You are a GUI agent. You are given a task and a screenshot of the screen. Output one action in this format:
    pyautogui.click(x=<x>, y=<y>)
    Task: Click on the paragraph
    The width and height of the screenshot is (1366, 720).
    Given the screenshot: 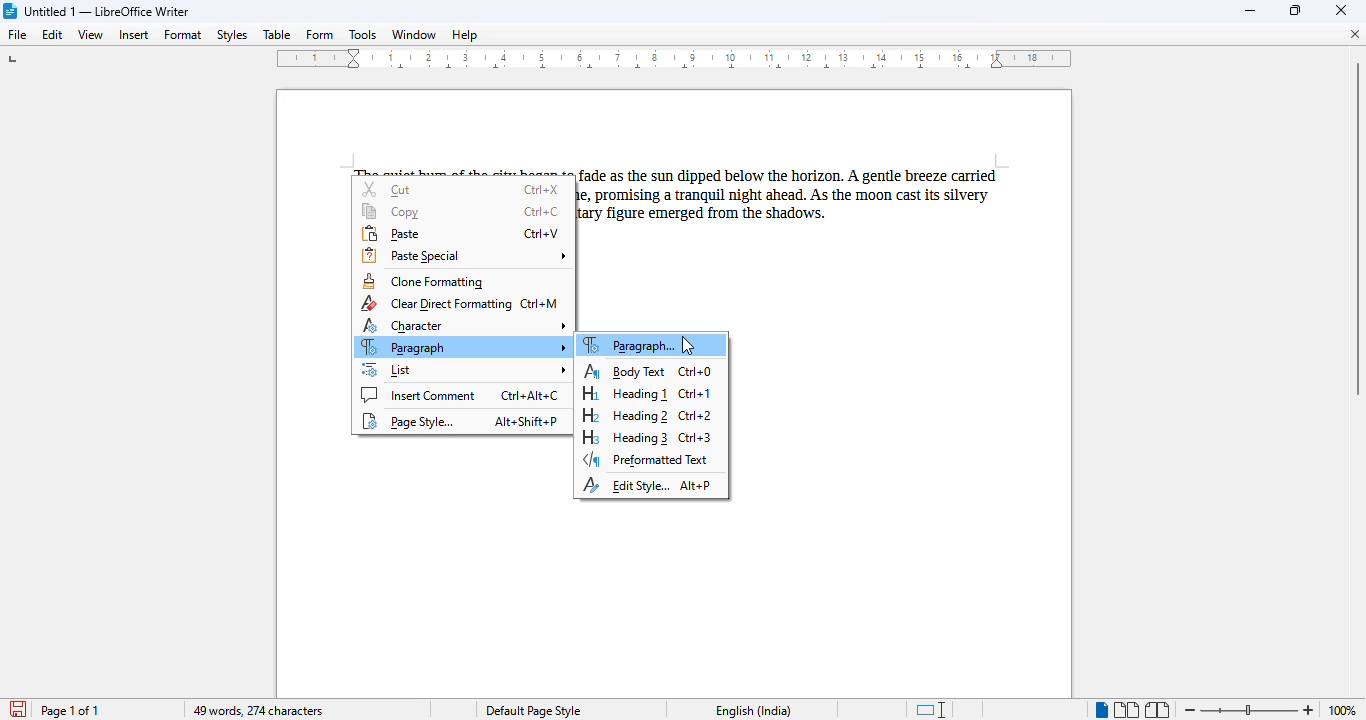 What is the action you would take?
    pyautogui.click(x=787, y=194)
    